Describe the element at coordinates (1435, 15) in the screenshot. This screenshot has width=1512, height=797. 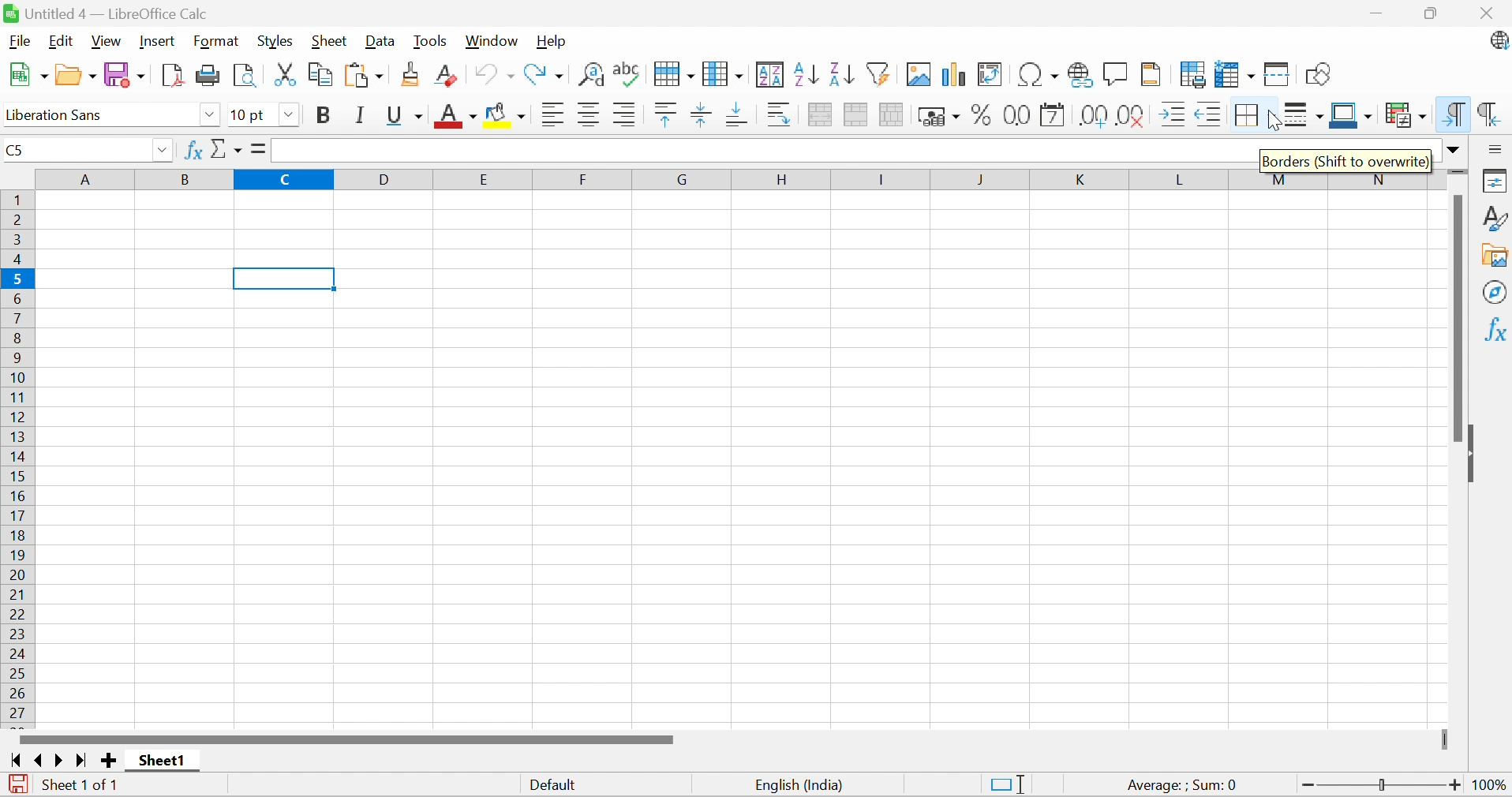
I see `Restore down` at that location.